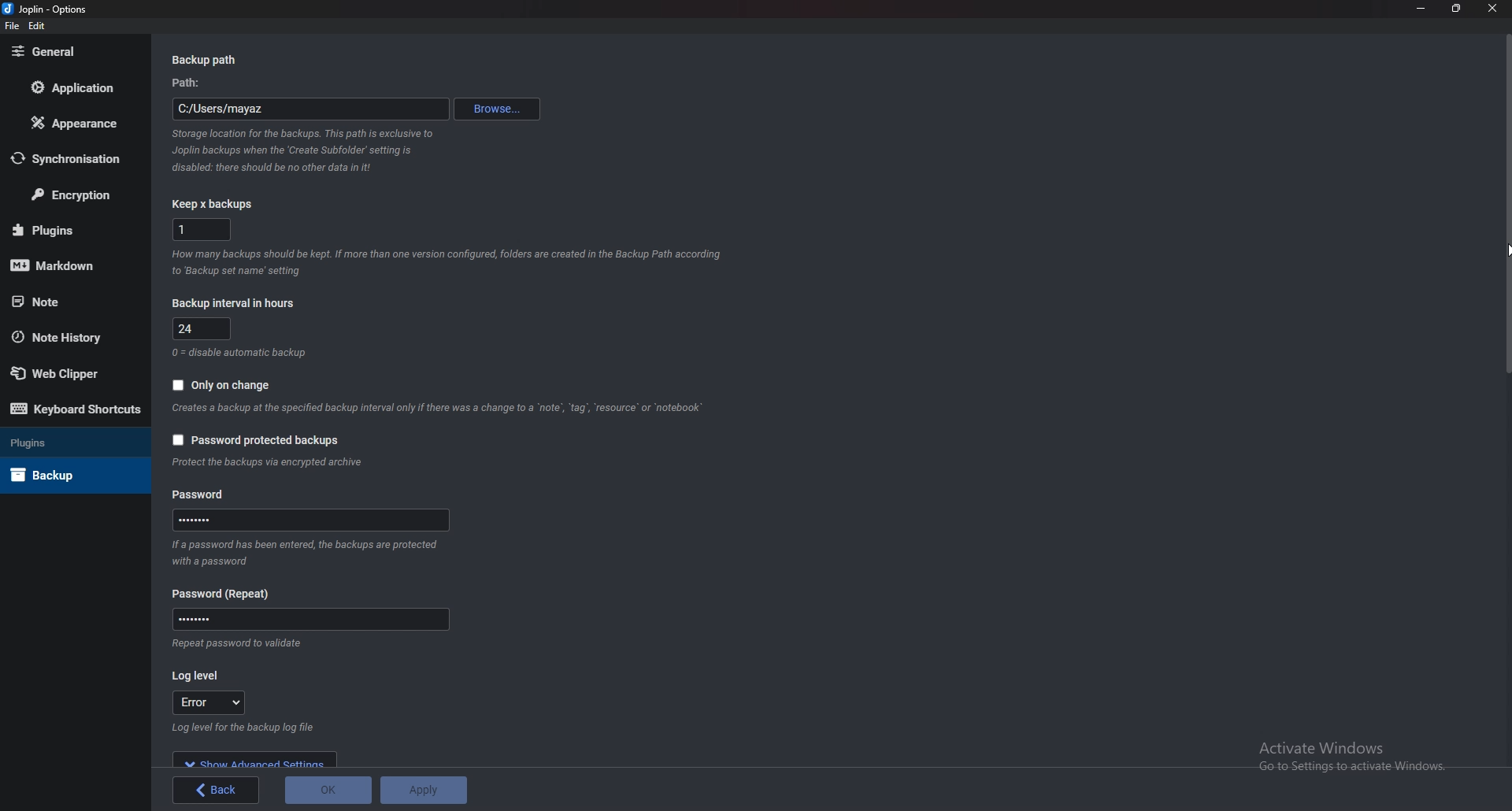 The height and width of the screenshot is (811, 1512). What do you see at coordinates (69, 302) in the screenshot?
I see `note` at bounding box center [69, 302].